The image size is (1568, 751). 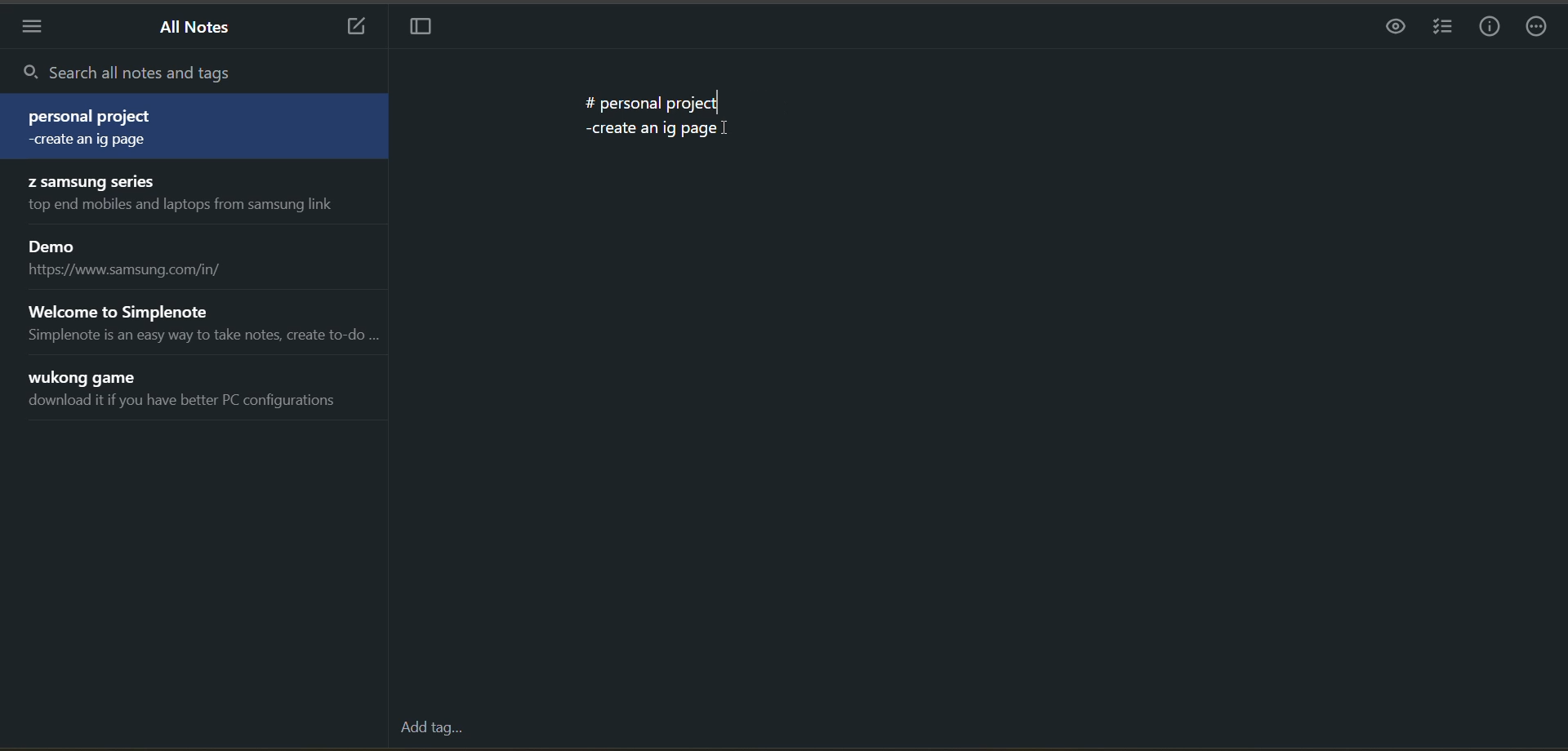 What do you see at coordinates (189, 388) in the screenshot?
I see `note title and preview` at bounding box center [189, 388].